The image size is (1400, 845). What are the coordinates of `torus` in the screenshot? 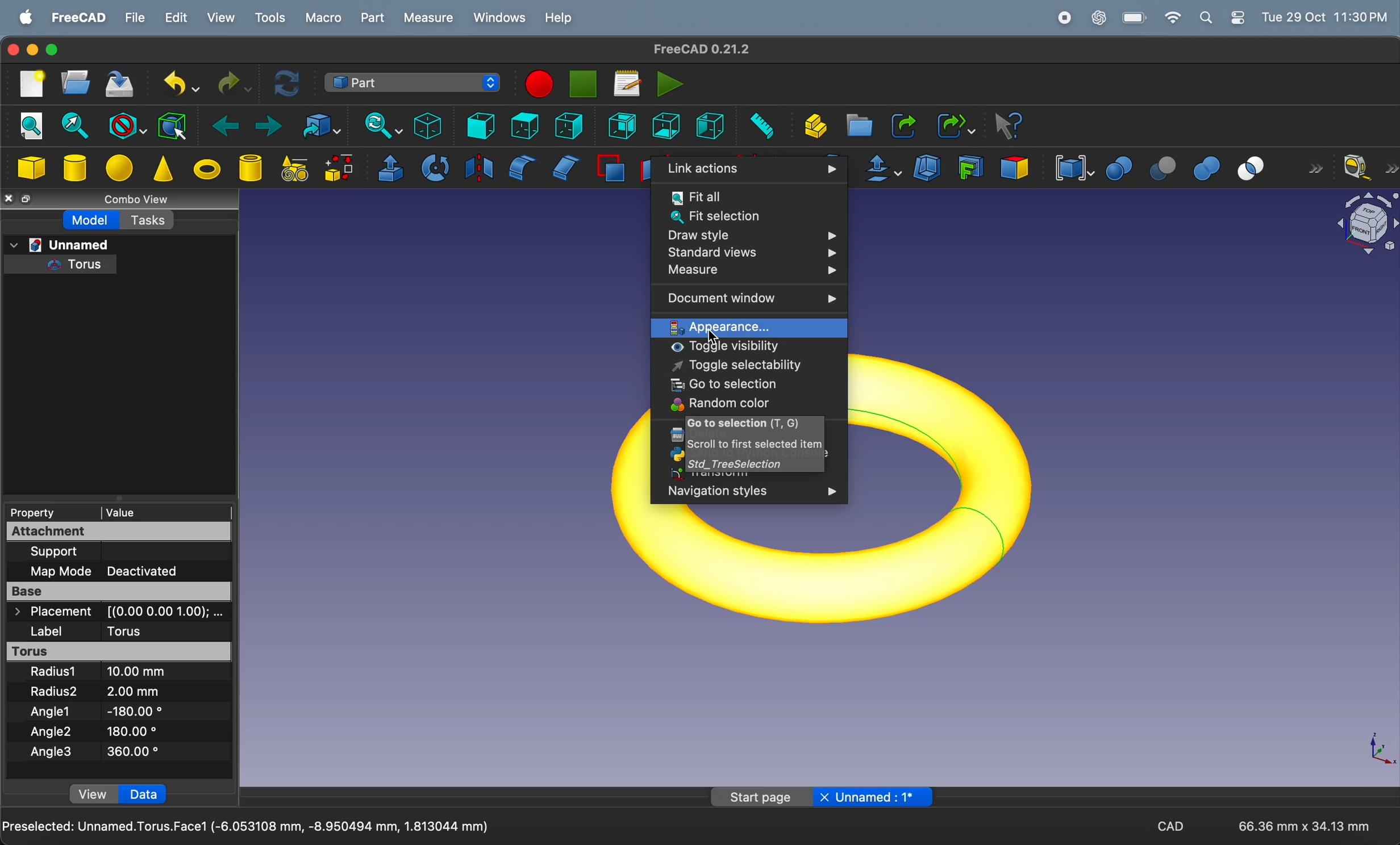 It's located at (118, 651).